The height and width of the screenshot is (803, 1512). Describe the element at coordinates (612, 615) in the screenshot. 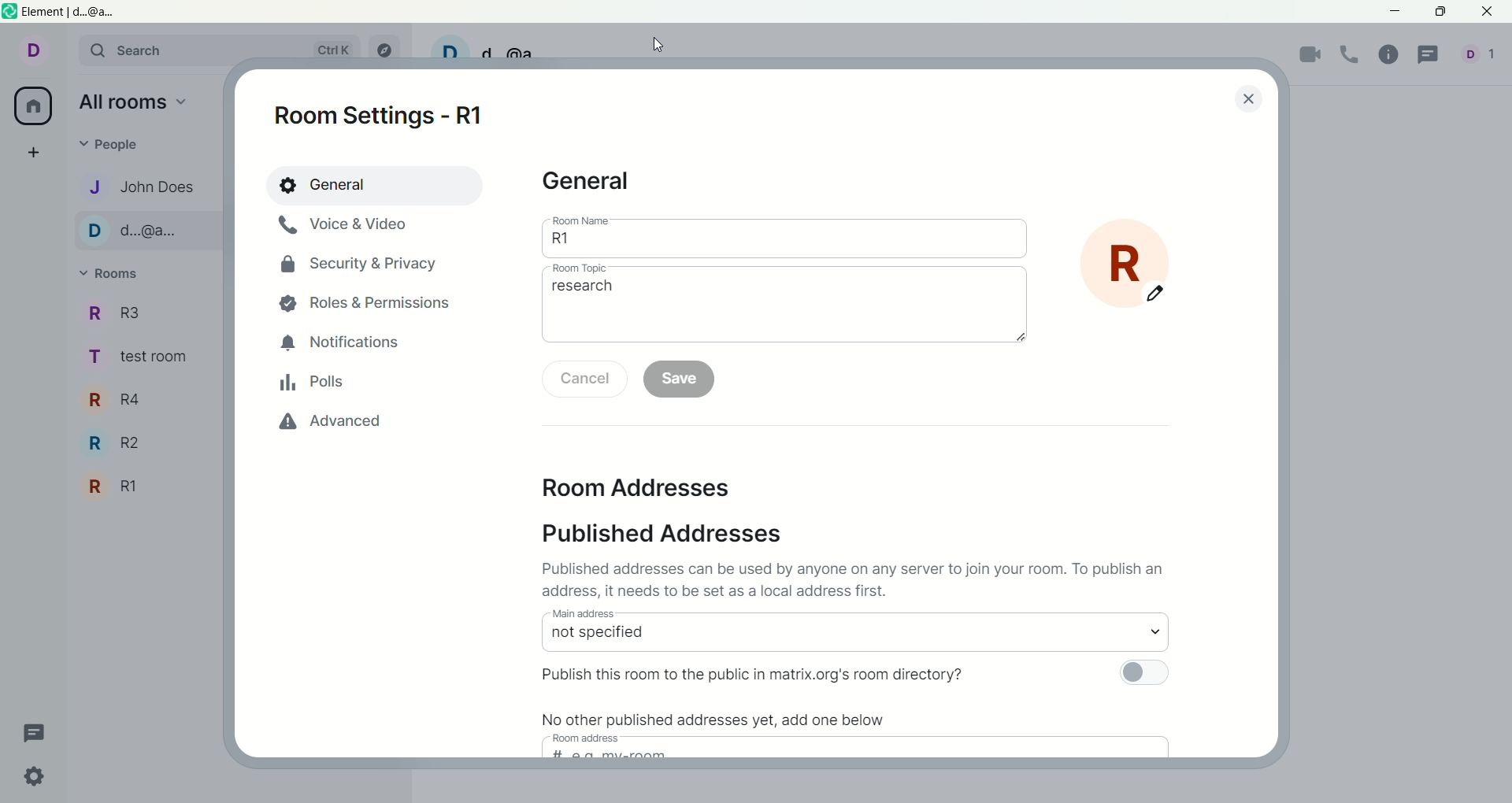

I see `main address` at that location.